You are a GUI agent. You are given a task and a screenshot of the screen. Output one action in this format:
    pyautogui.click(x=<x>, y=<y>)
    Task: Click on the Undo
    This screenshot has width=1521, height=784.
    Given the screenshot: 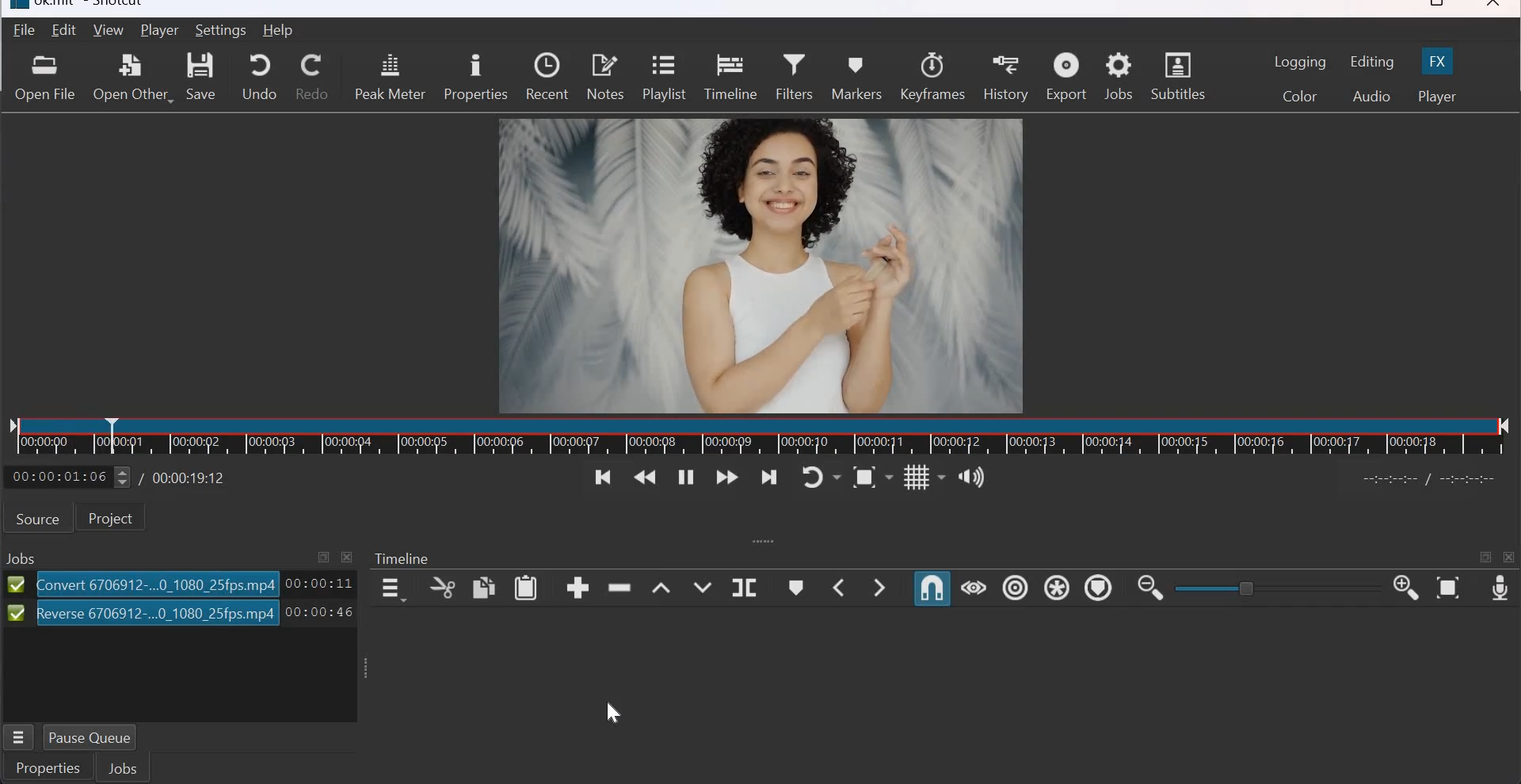 What is the action you would take?
    pyautogui.click(x=260, y=75)
    